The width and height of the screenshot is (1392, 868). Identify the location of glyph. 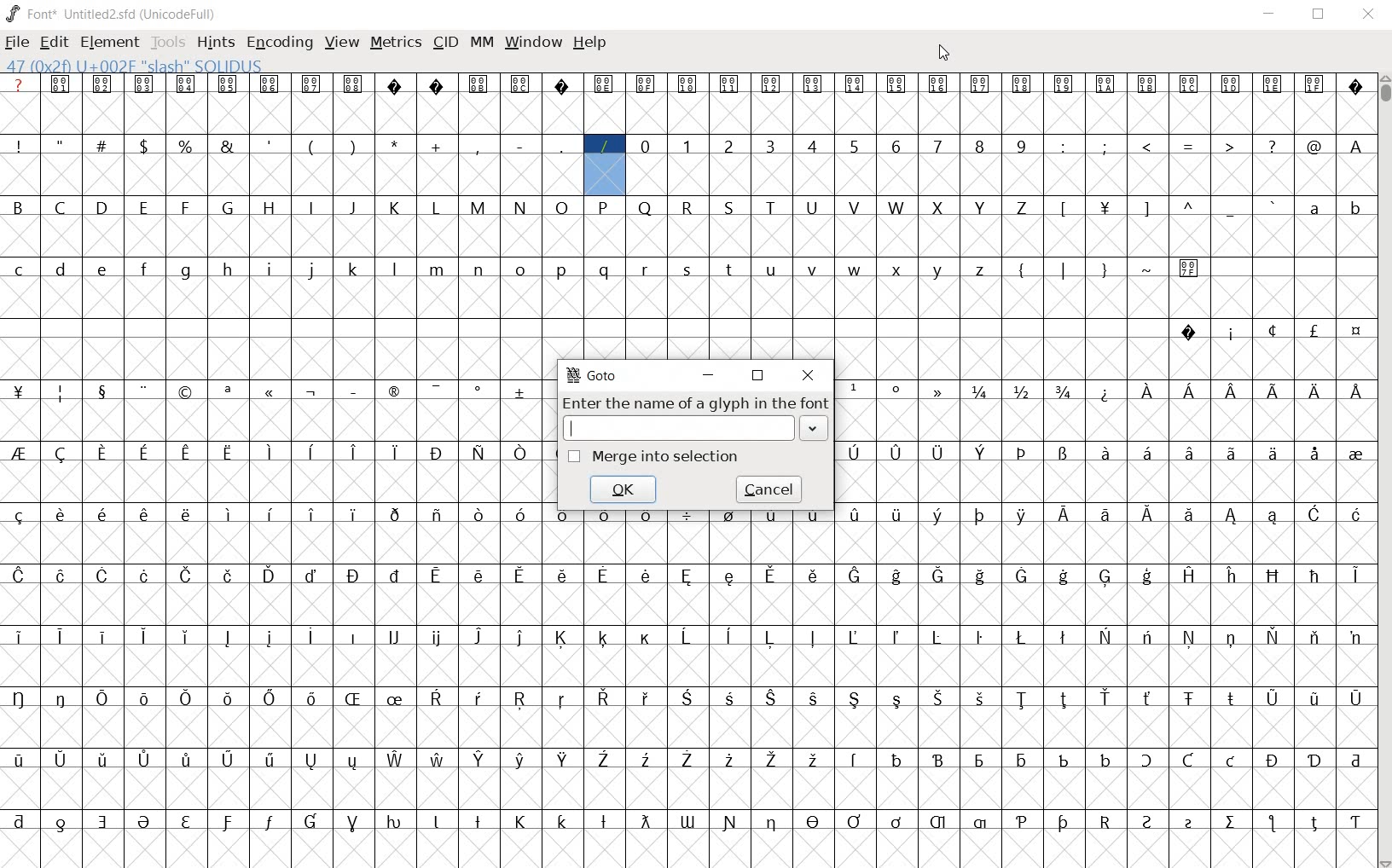
(61, 84).